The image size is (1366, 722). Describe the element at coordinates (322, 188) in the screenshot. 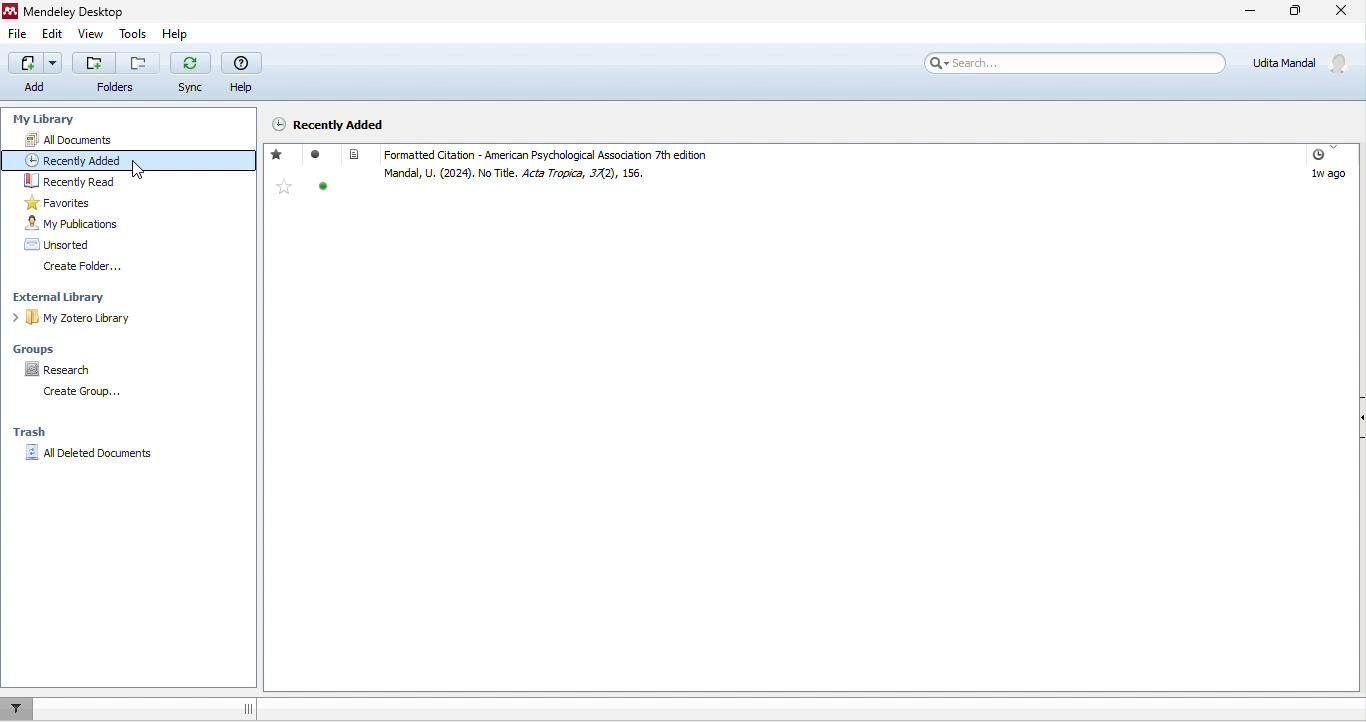

I see `read/unread` at that location.